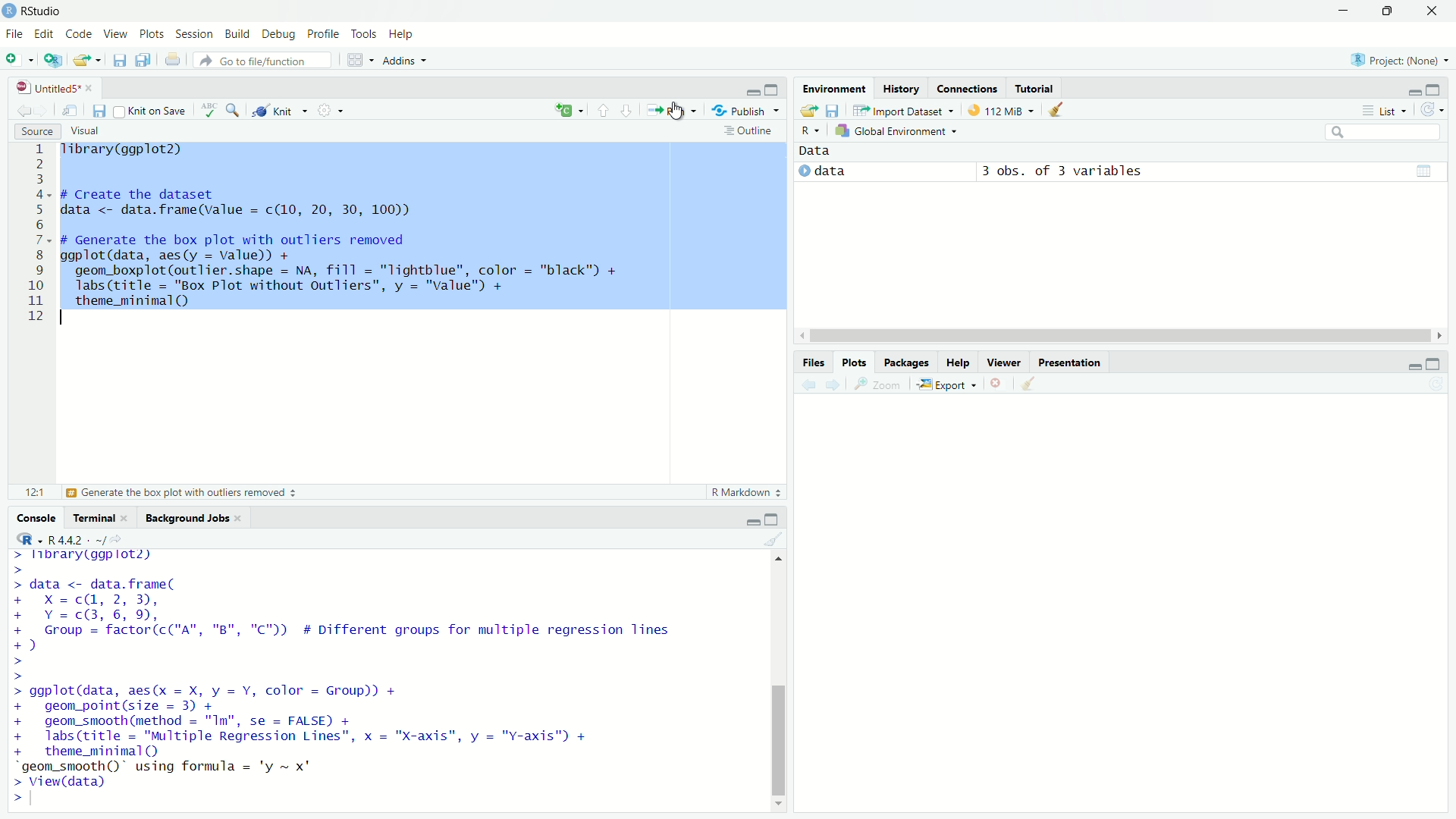 Image resolution: width=1456 pixels, height=819 pixels. Describe the element at coordinates (1326, 12) in the screenshot. I see `minimise` at that location.